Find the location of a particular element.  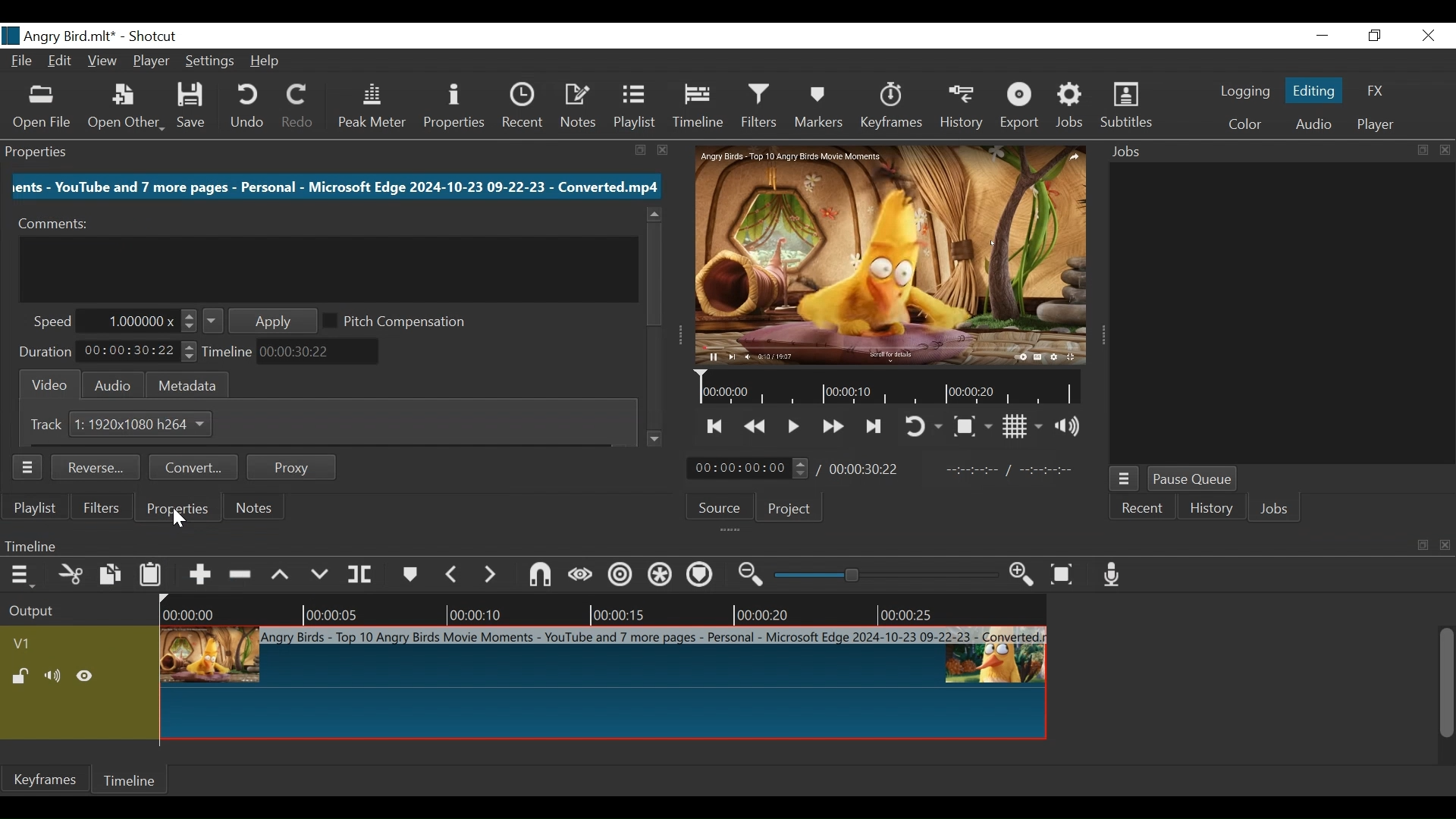

Timeline is located at coordinates (893, 387).